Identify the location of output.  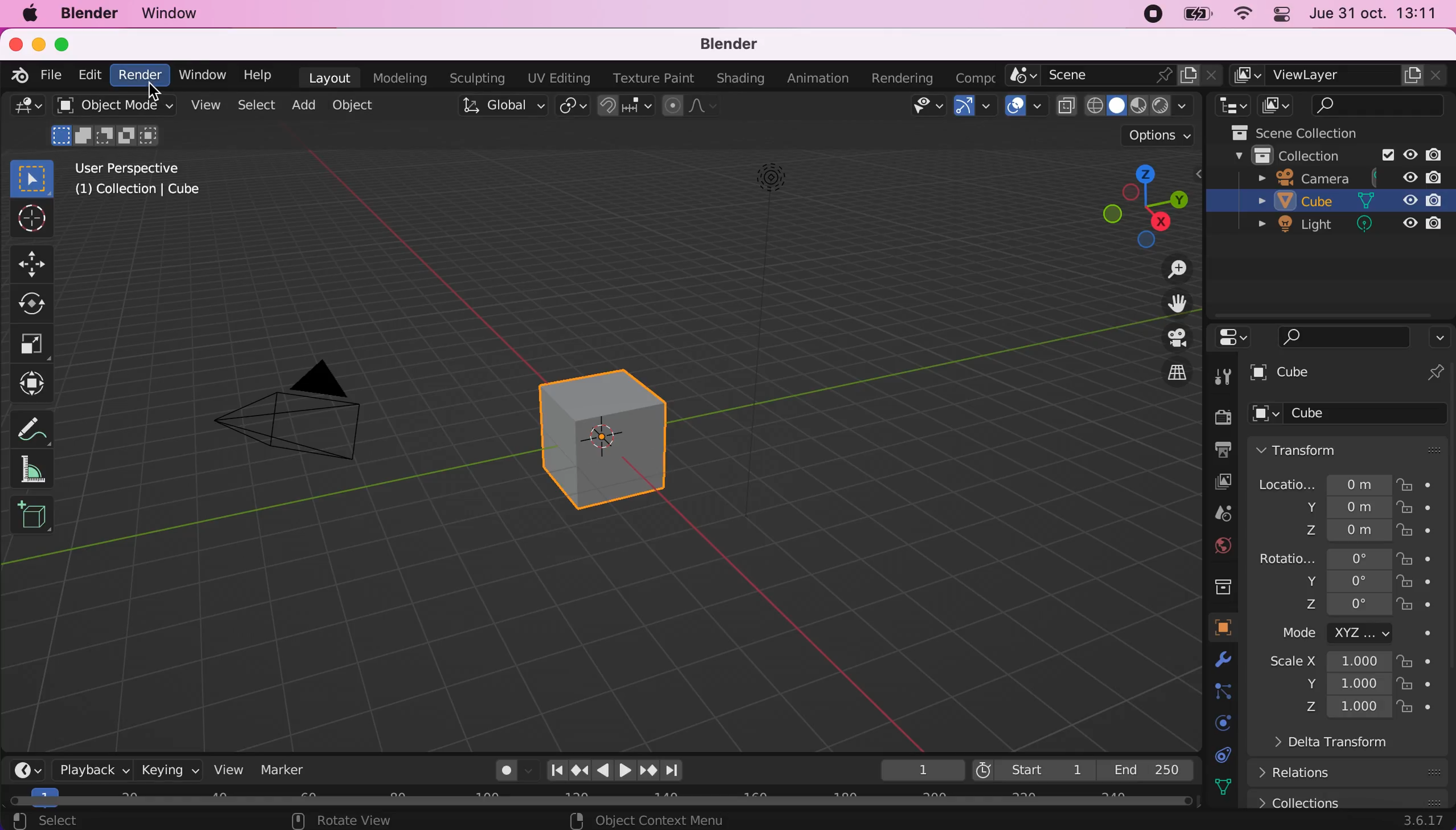
(1220, 451).